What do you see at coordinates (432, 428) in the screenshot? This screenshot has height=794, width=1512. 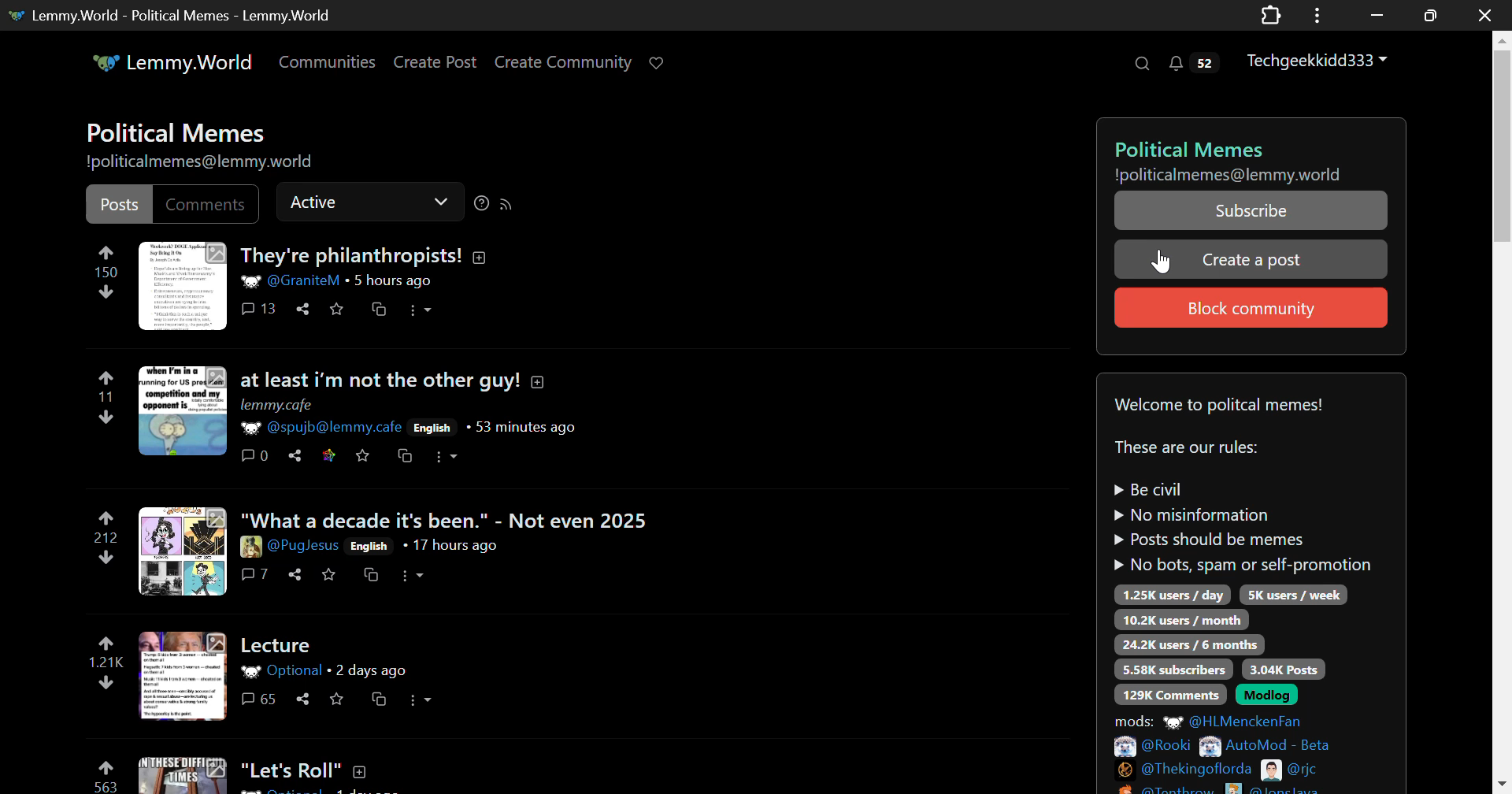 I see `English` at bounding box center [432, 428].